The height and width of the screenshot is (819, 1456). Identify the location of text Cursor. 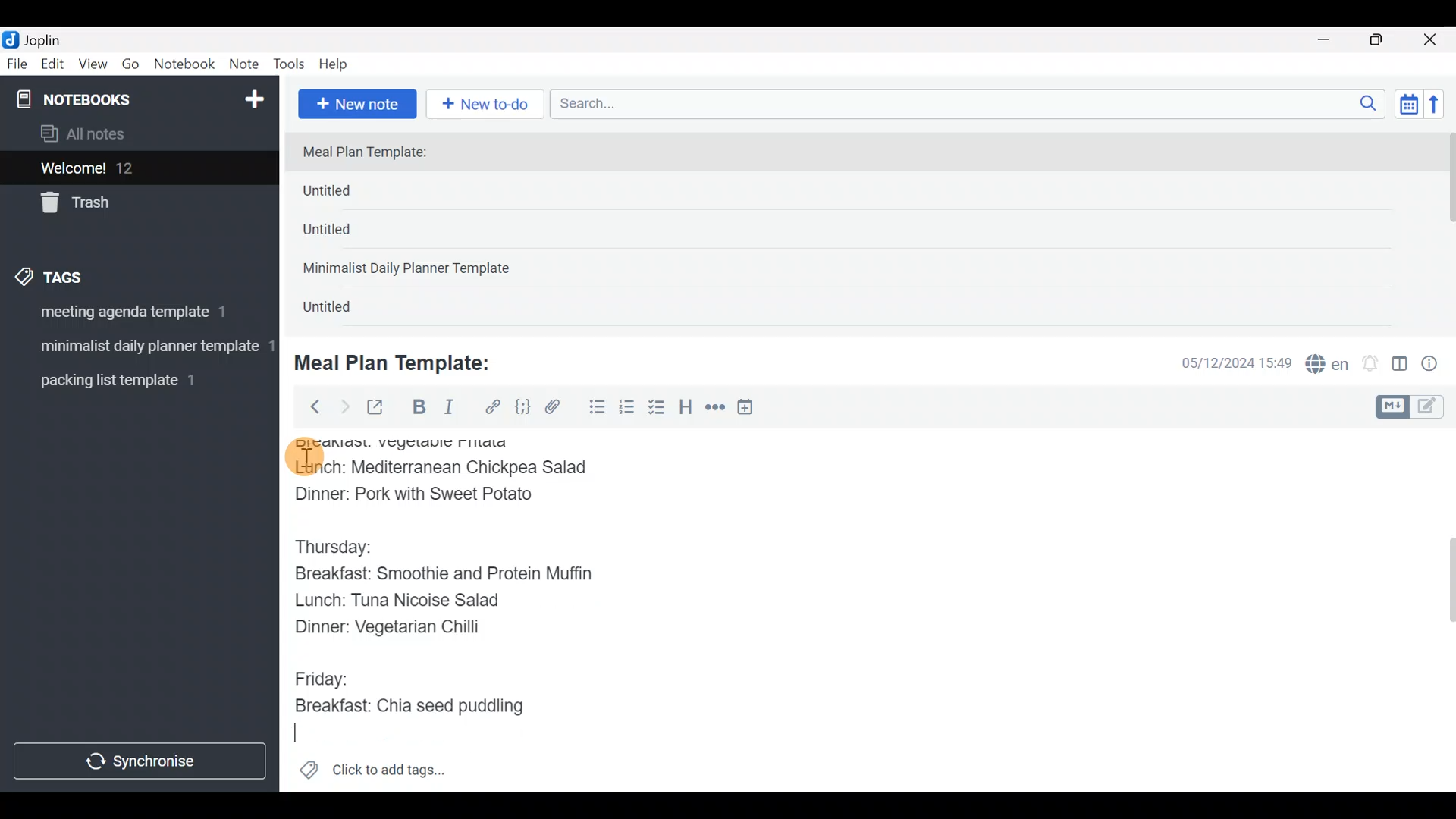
(298, 732).